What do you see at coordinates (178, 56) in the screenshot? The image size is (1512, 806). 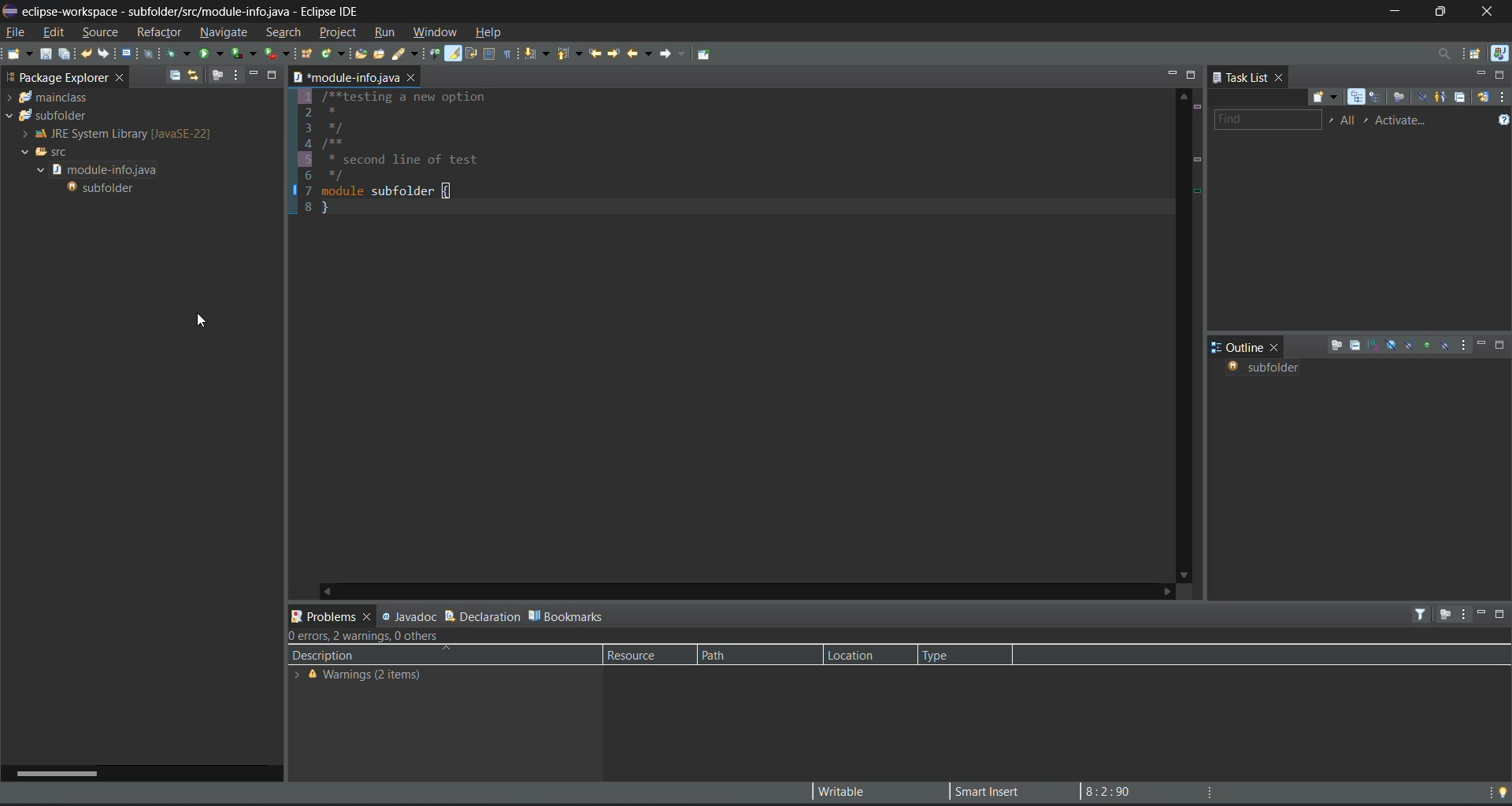 I see `debug` at bounding box center [178, 56].